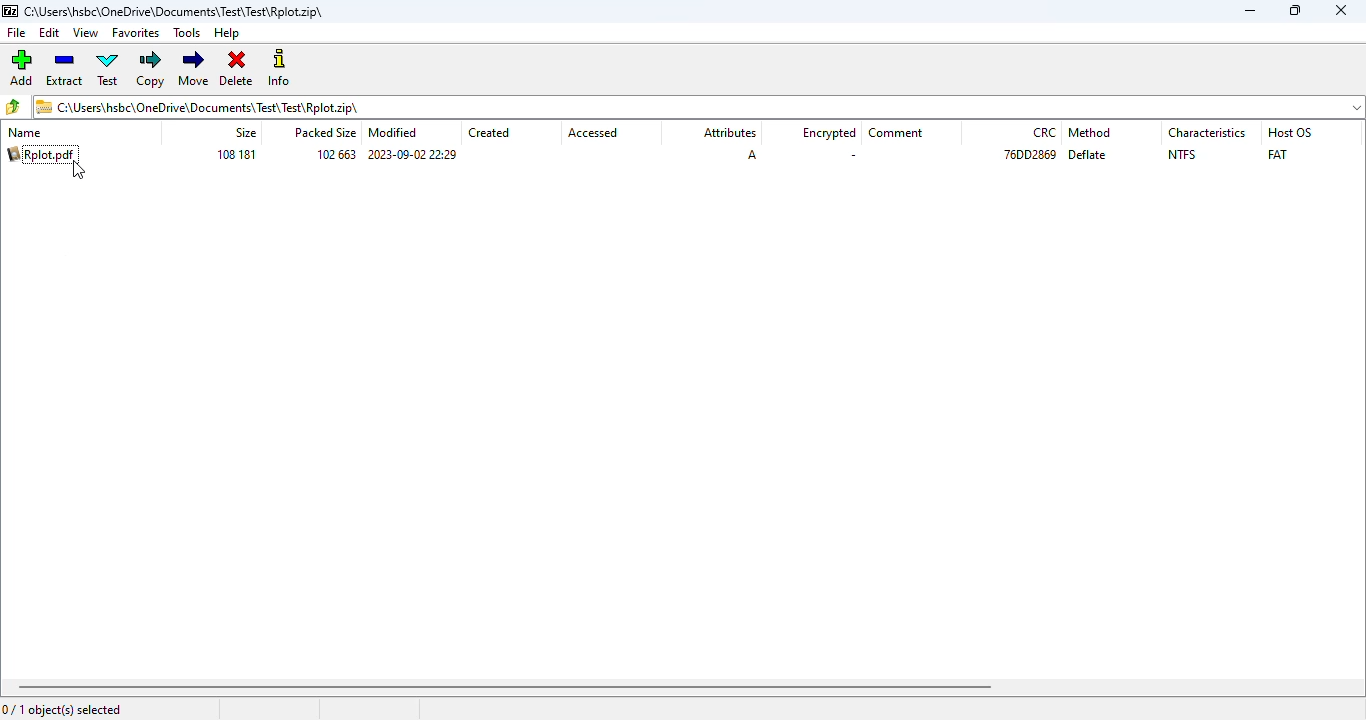 The image size is (1366, 720). I want to click on 2023-09-02 22:29, so click(412, 155).